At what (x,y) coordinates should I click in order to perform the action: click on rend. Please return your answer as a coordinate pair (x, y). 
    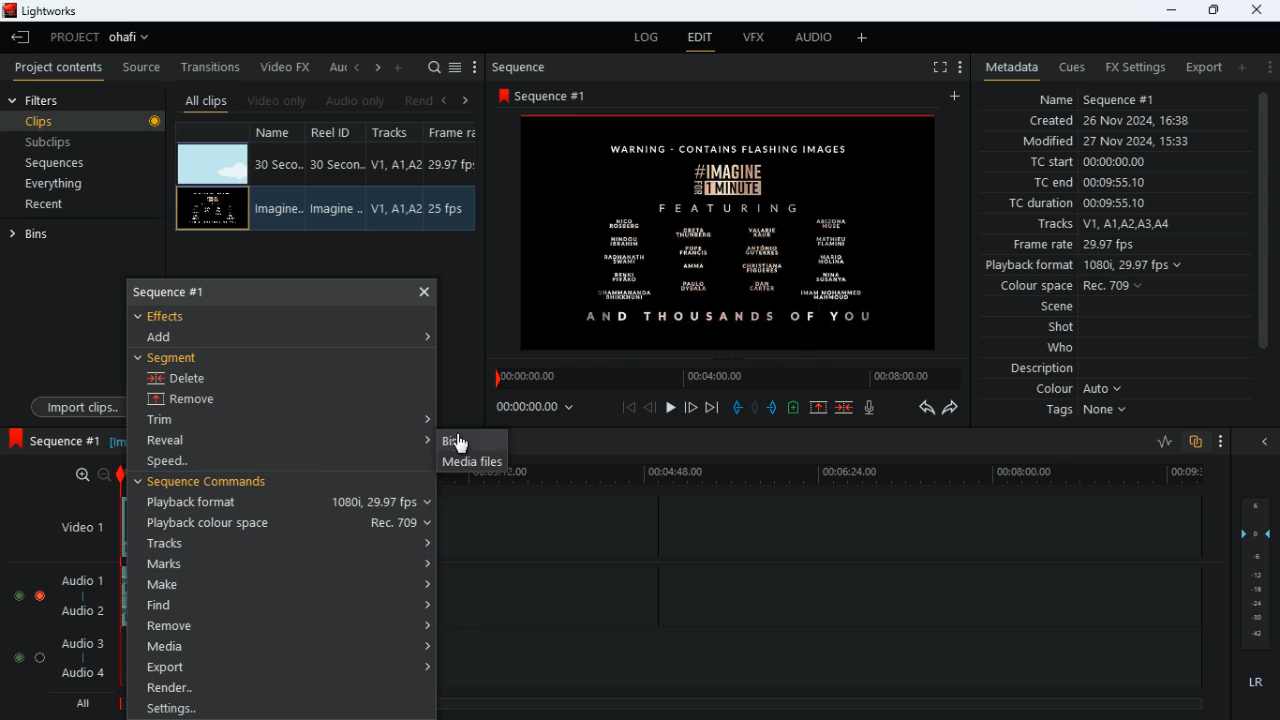
    Looking at the image, I should click on (420, 100).